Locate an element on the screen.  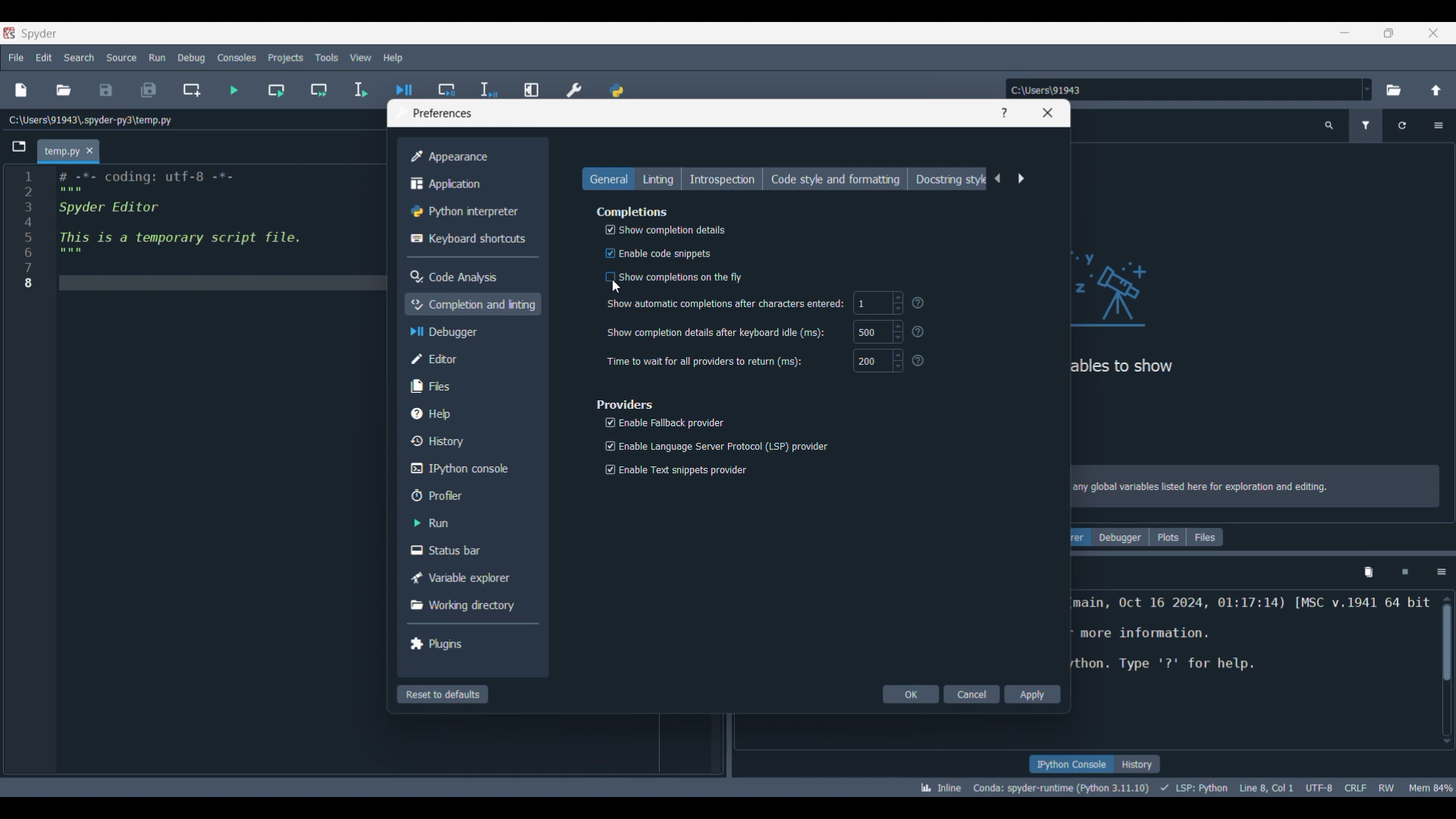
Code style and formatting is located at coordinates (835, 179).